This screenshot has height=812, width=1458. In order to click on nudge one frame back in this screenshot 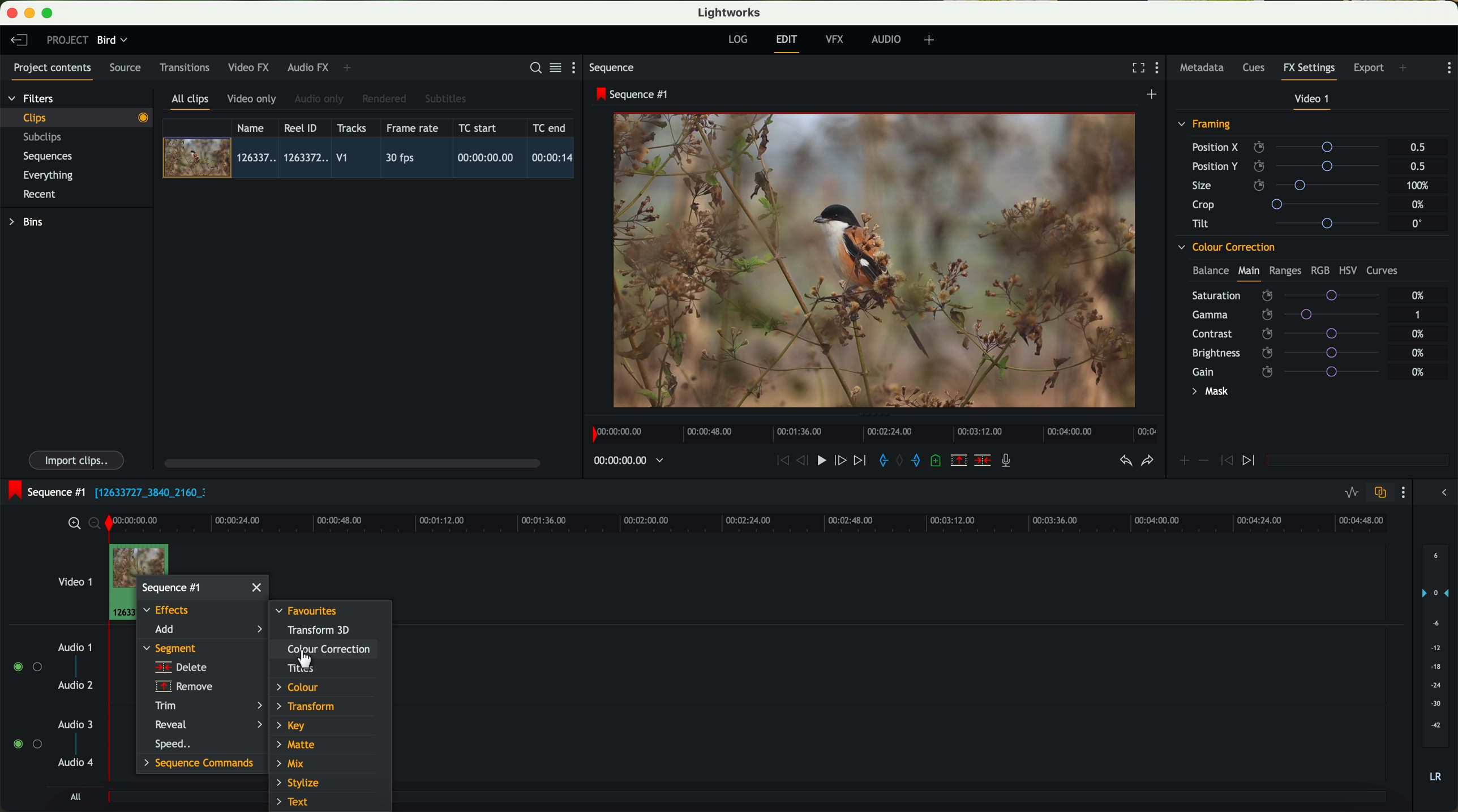, I will do `click(804, 462)`.